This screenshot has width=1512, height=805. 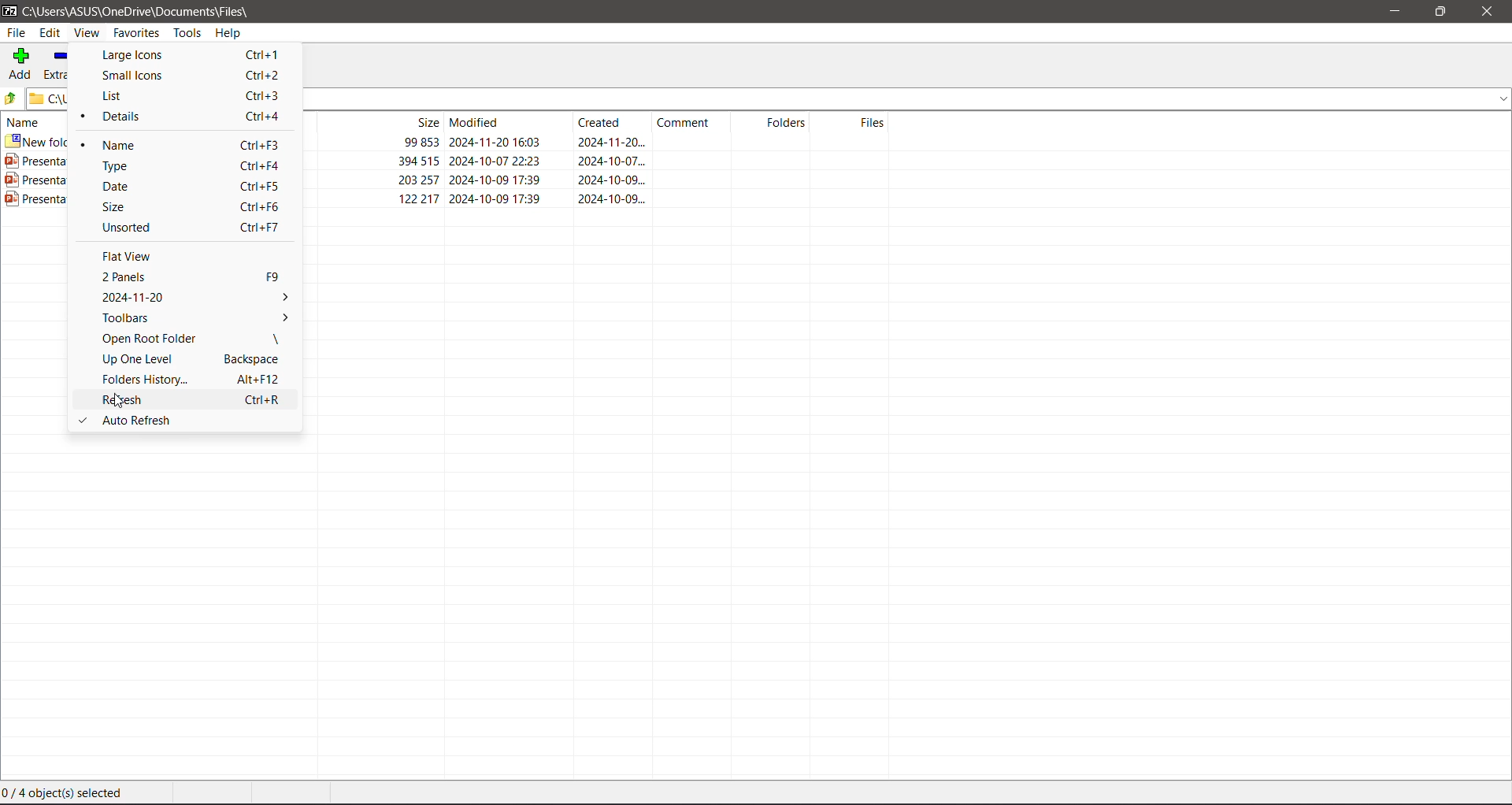 I want to click on Large Icons, so click(x=143, y=55).